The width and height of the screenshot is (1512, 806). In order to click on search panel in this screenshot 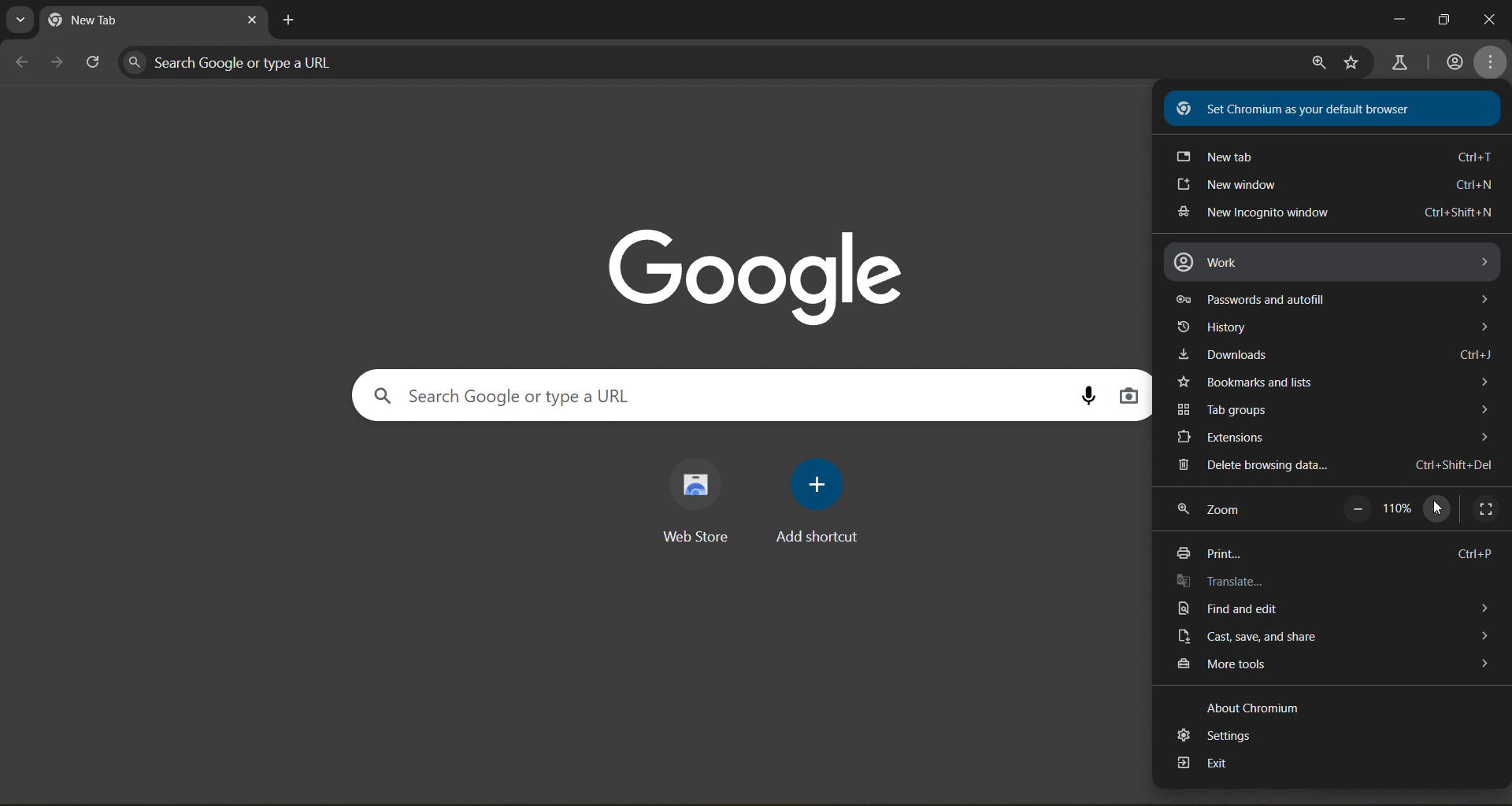, I will do `click(510, 399)`.